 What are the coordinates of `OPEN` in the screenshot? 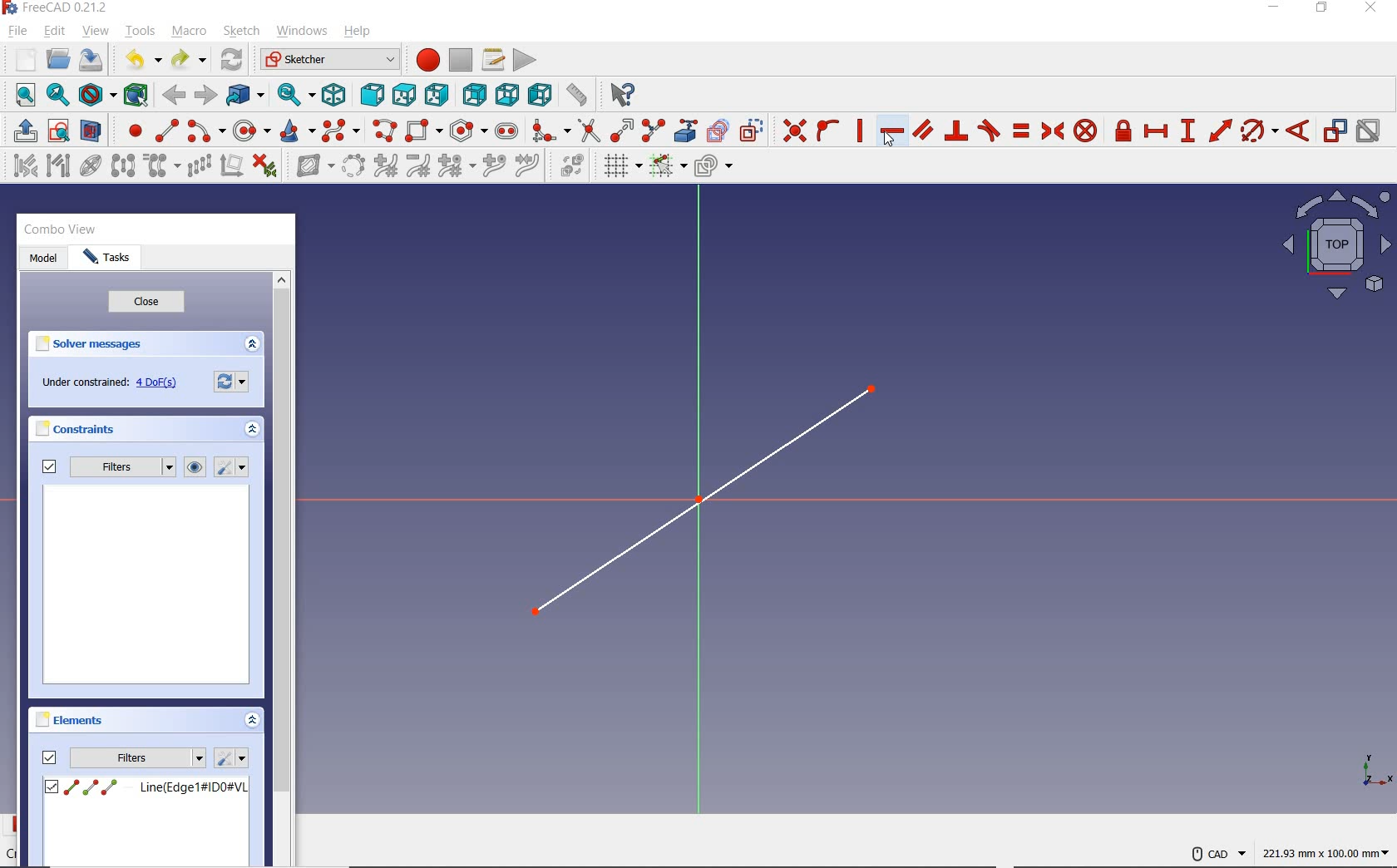 It's located at (58, 59).